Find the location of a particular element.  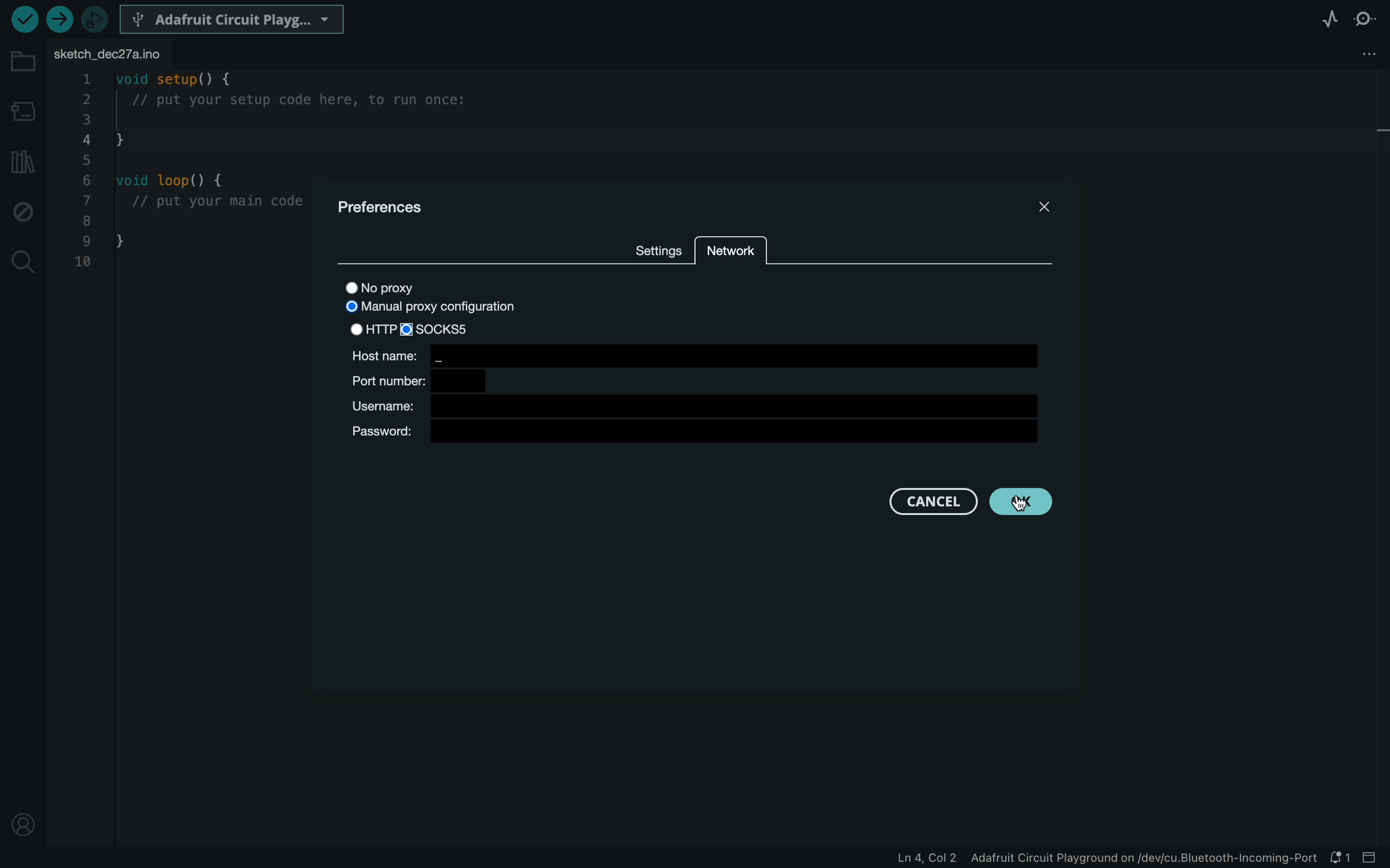

PORT NUMBER is located at coordinates (428, 381).